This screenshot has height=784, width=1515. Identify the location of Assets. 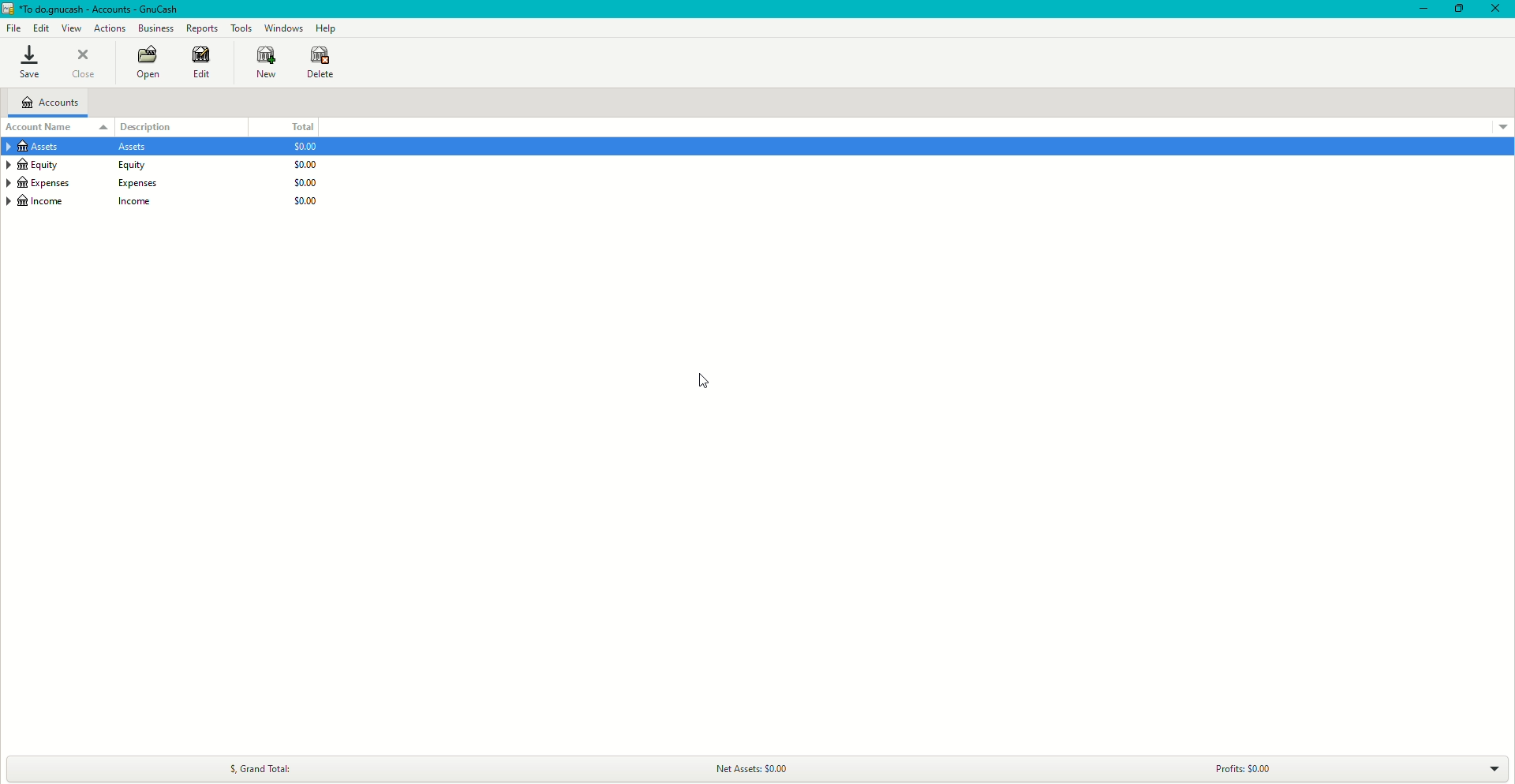
(84, 148).